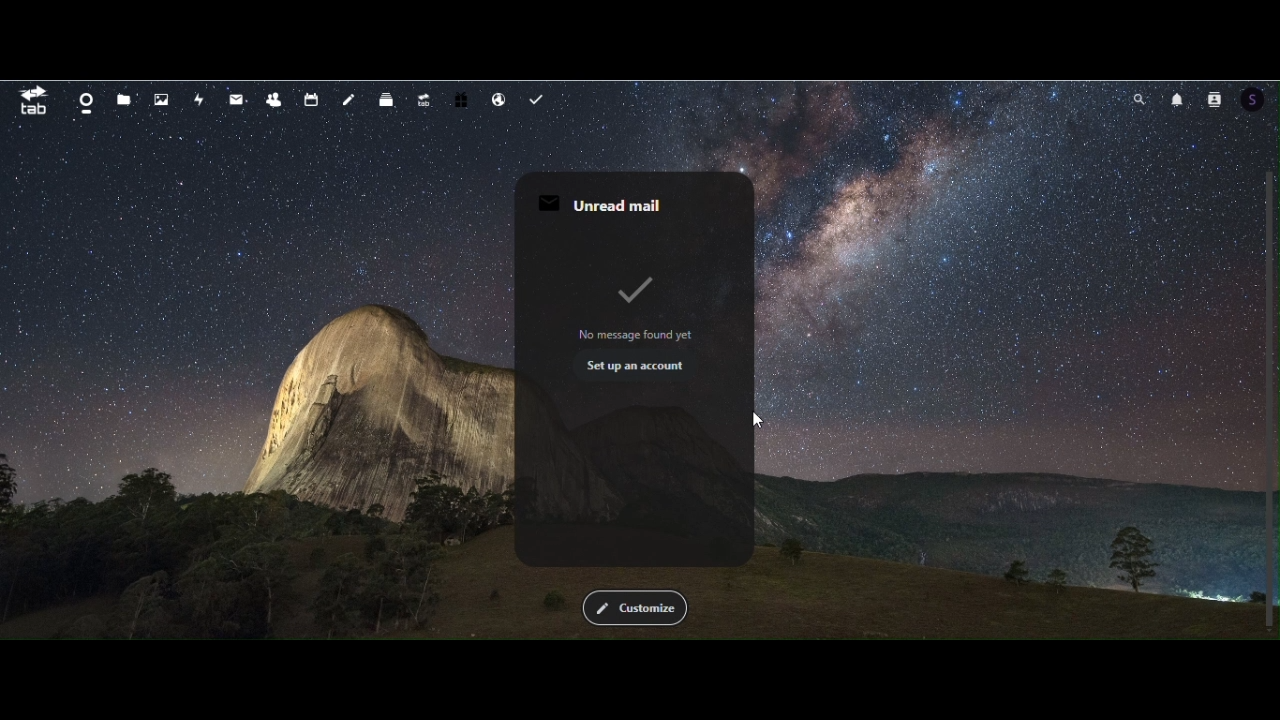  I want to click on activity, so click(203, 101).